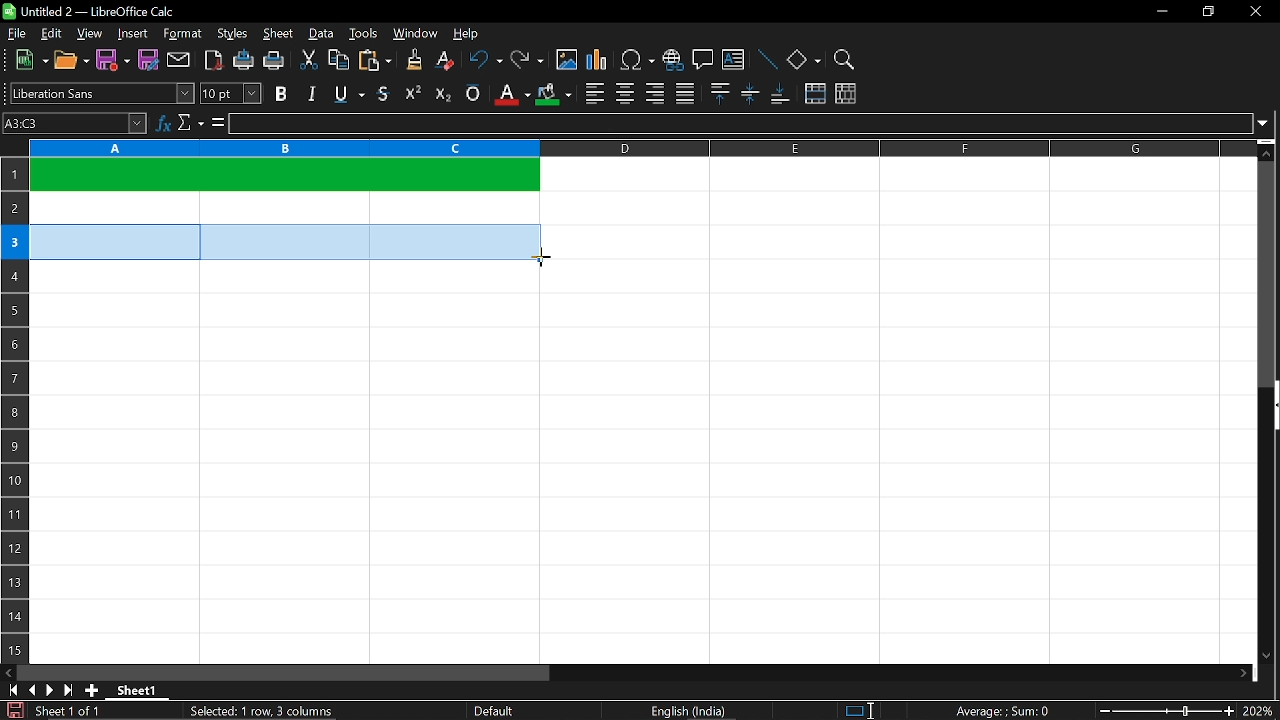  I want to click on file, so click(17, 33).